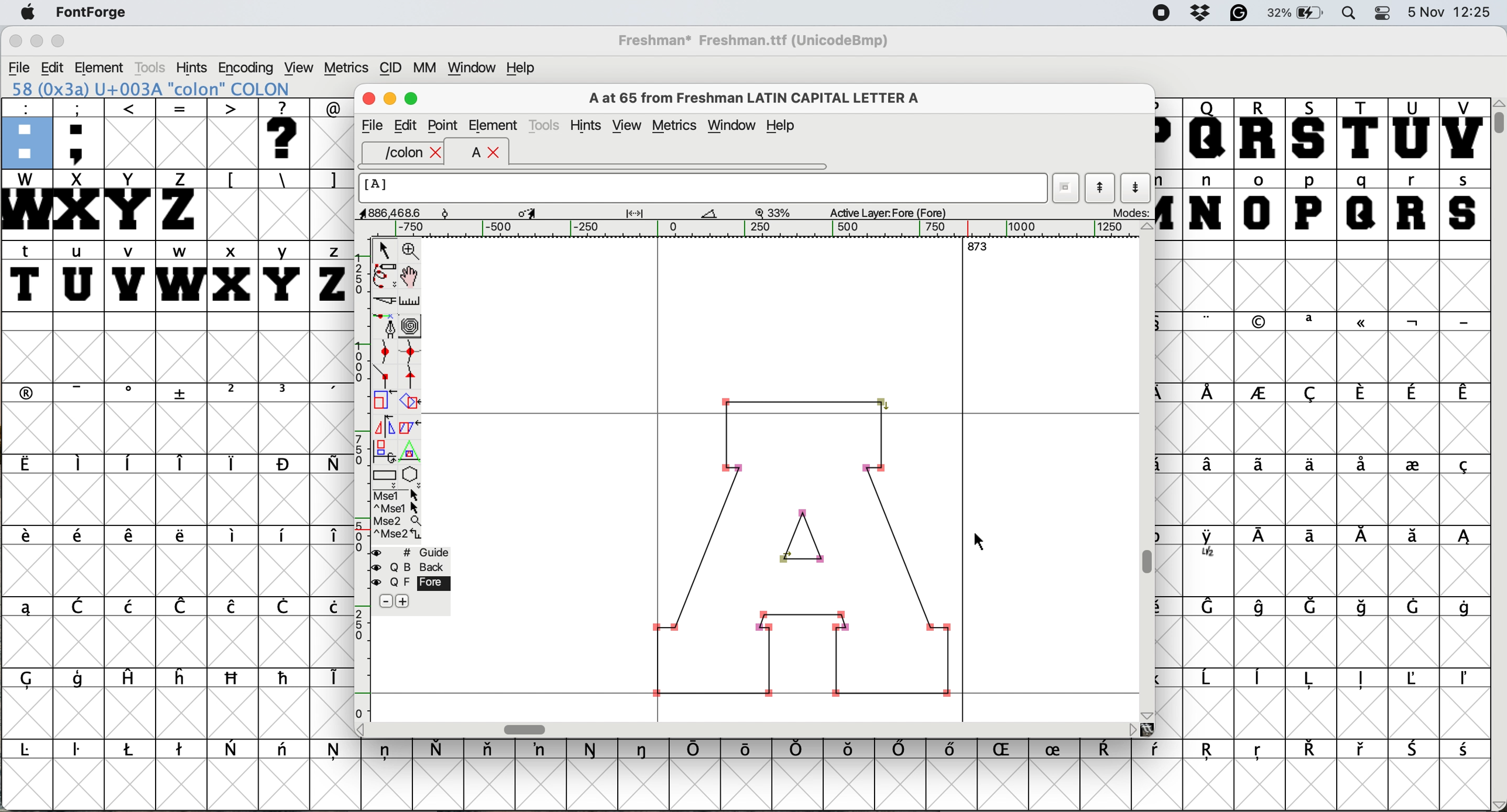 Image resolution: width=1507 pixels, height=812 pixels. Describe the element at coordinates (1498, 455) in the screenshot. I see `vertical scroll bar` at that location.